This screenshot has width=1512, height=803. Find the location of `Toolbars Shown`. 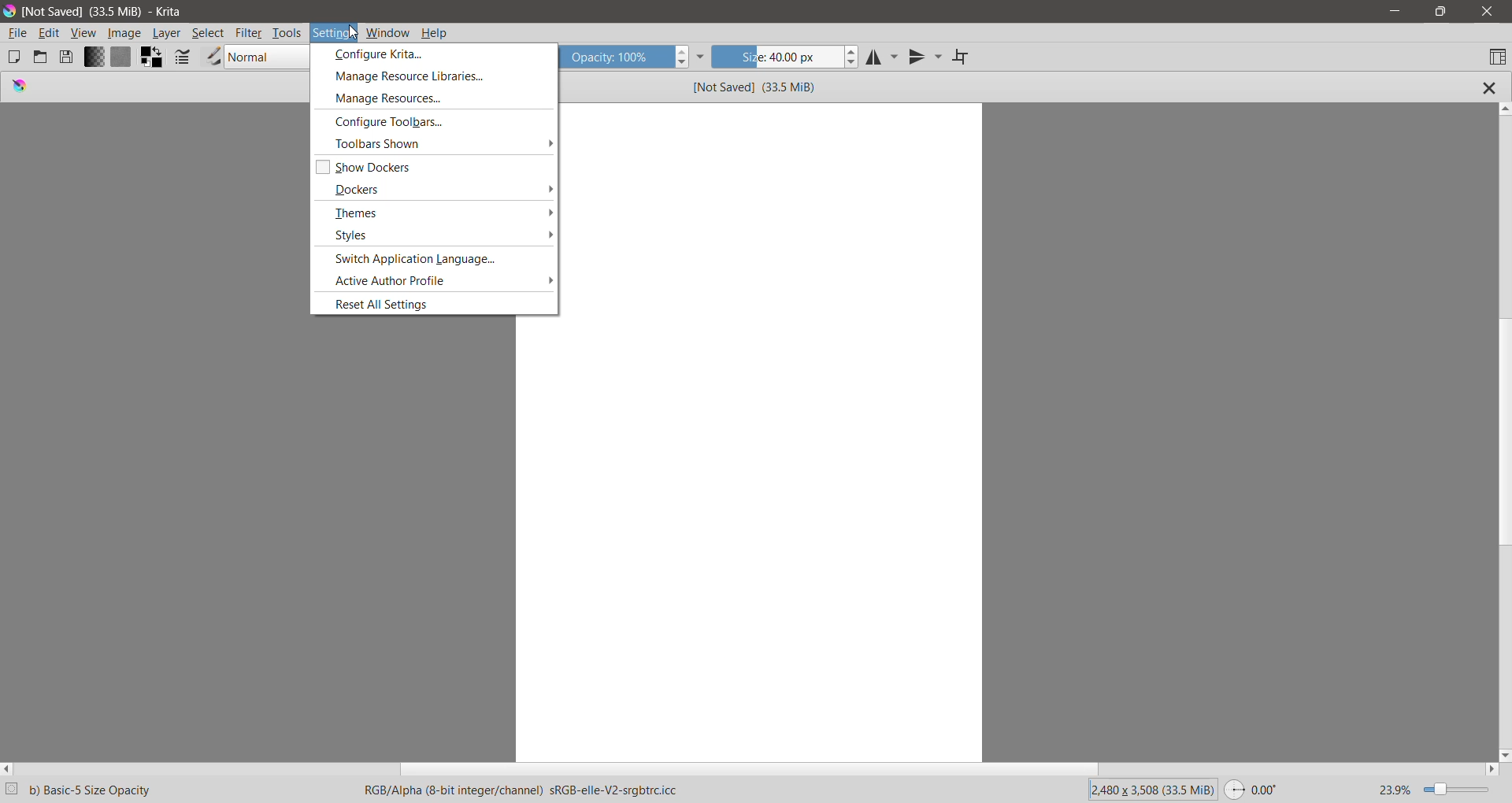

Toolbars Shown is located at coordinates (441, 142).